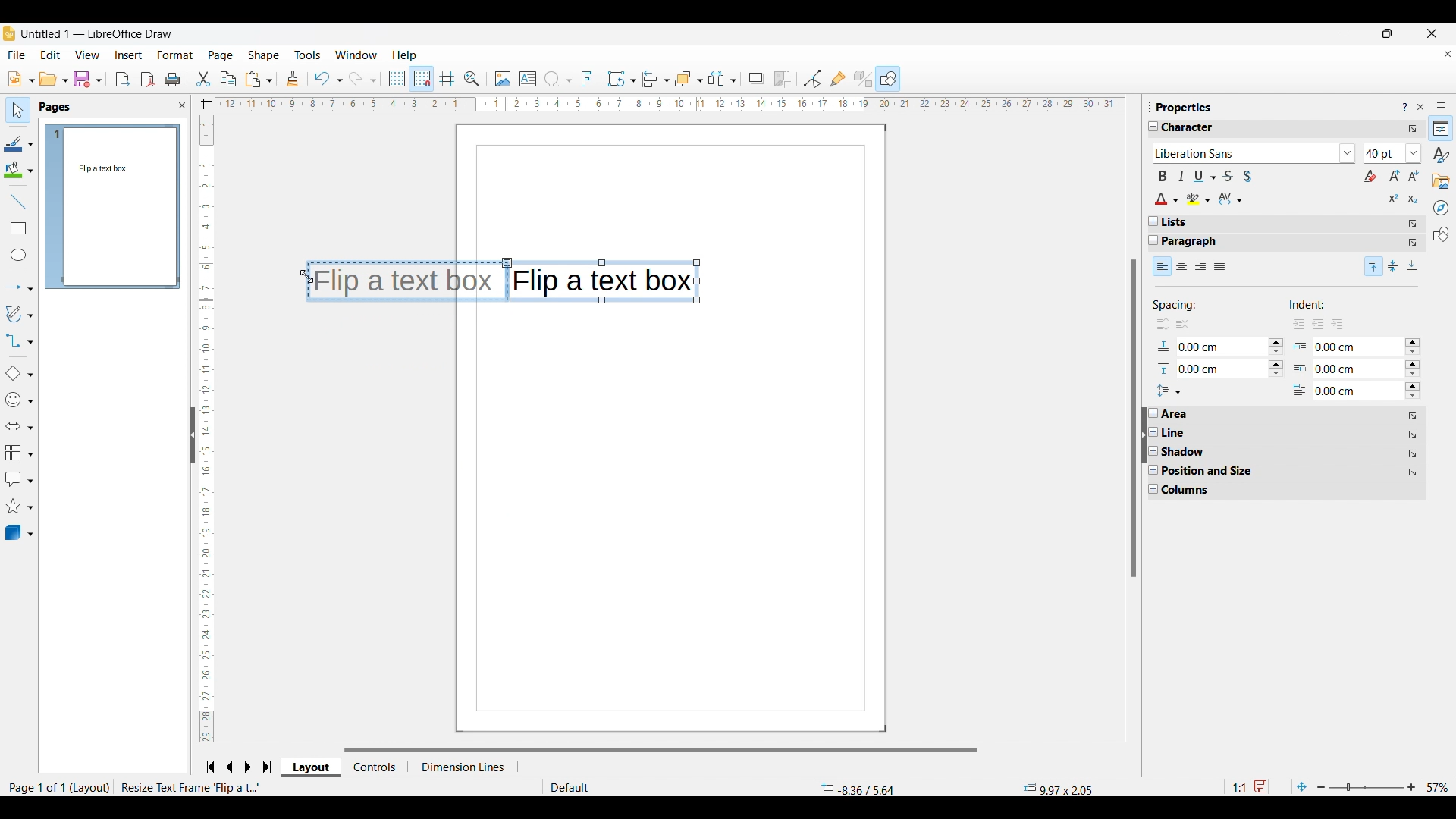 Image resolution: width=1456 pixels, height=819 pixels. What do you see at coordinates (1154, 240) in the screenshot?
I see `Collapse` at bounding box center [1154, 240].